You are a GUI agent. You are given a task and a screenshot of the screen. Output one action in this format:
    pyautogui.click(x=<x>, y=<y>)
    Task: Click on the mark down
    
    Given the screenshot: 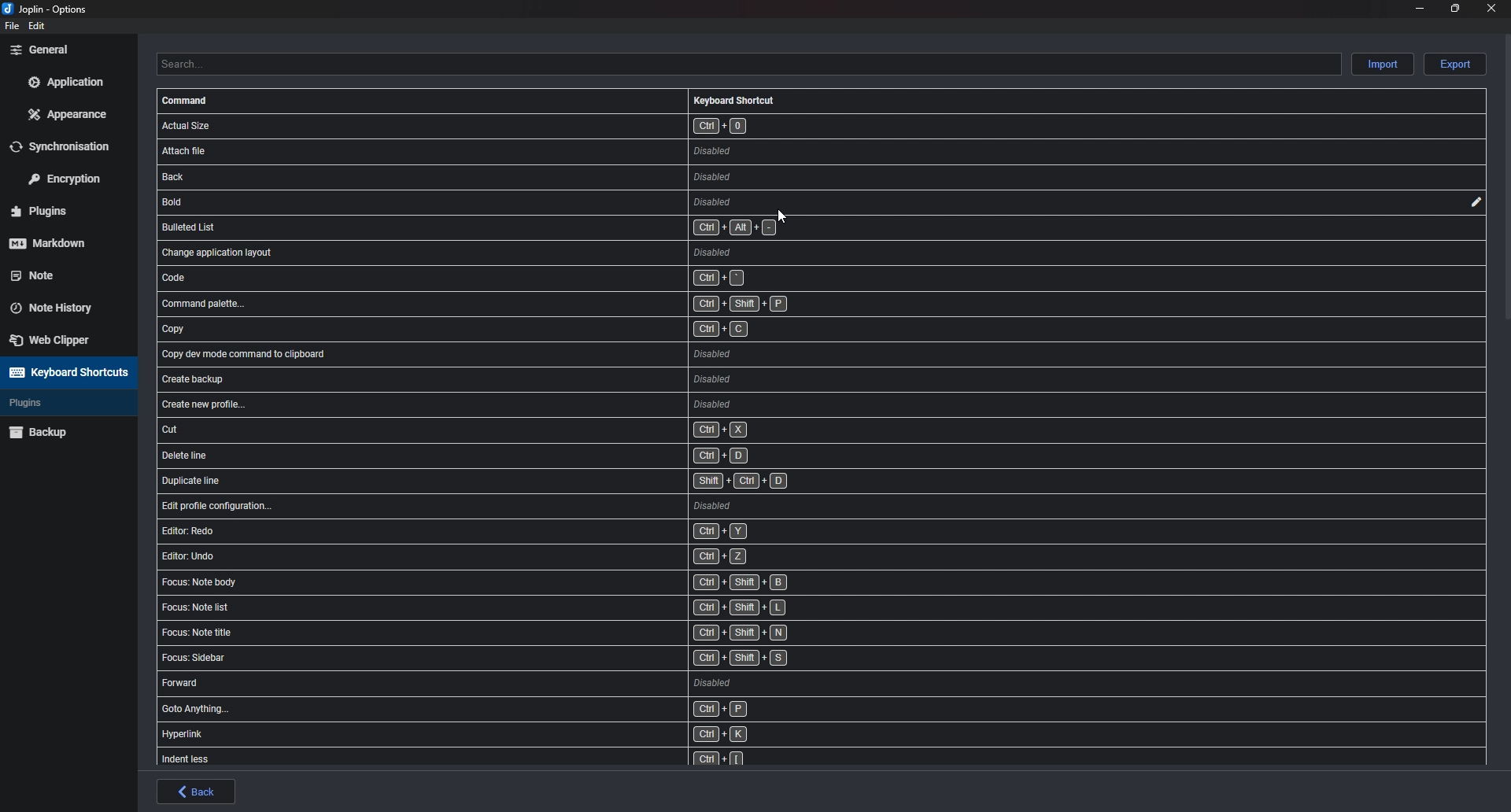 What is the action you would take?
    pyautogui.click(x=61, y=242)
    